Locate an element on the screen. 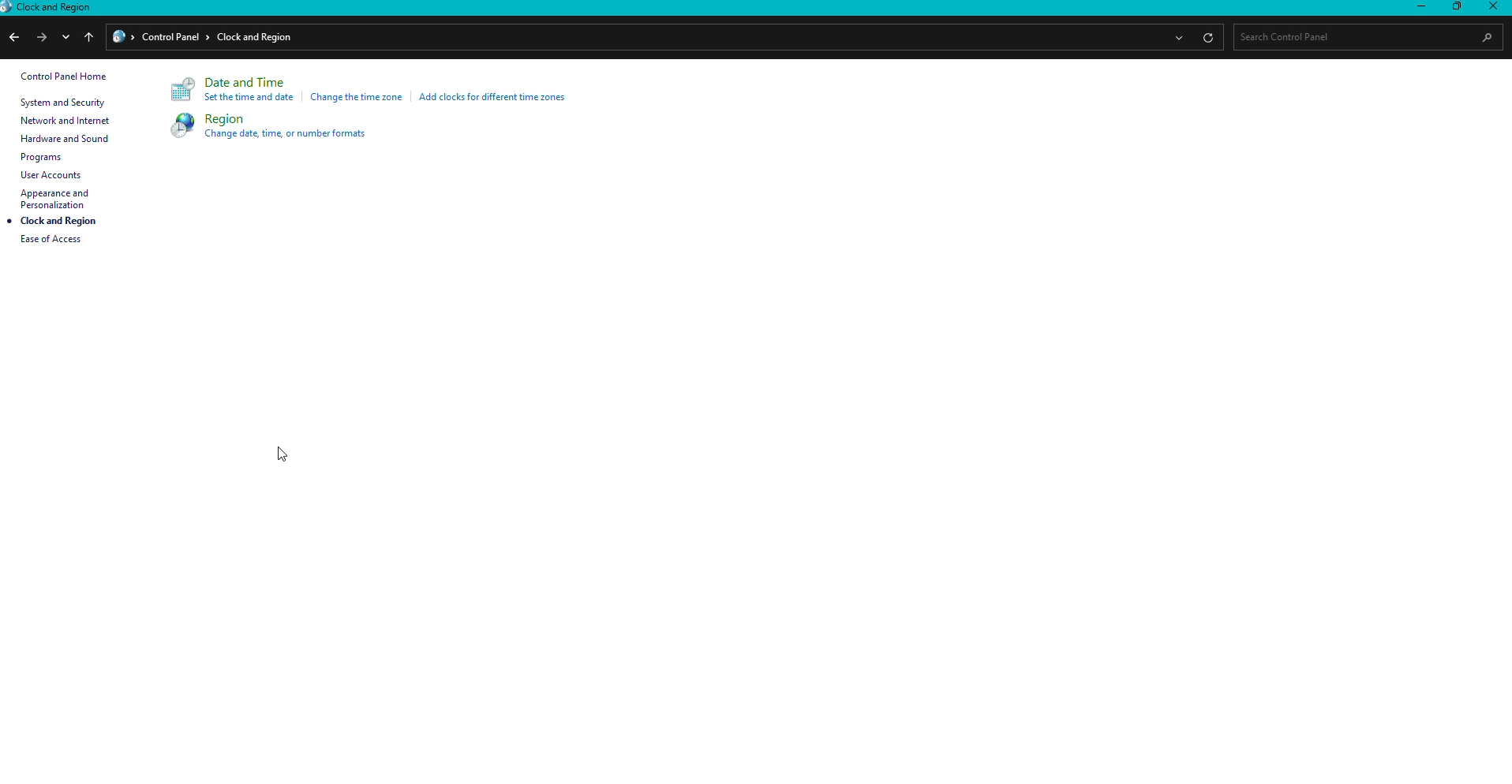  System and security is located at coordinates (65, 102).